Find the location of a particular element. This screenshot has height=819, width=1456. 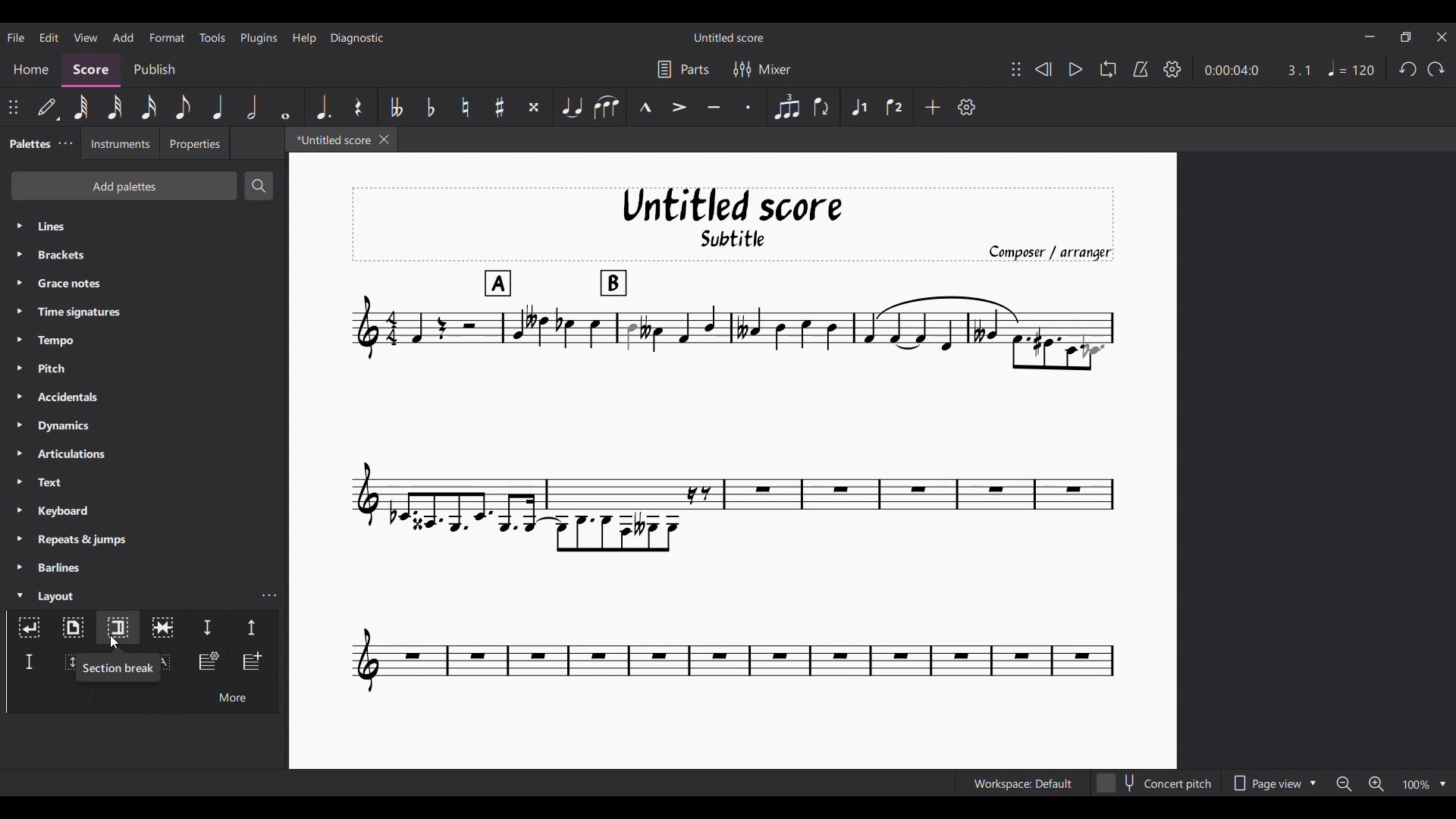

0:00:04:0 is located at coordinates (1232, 71).